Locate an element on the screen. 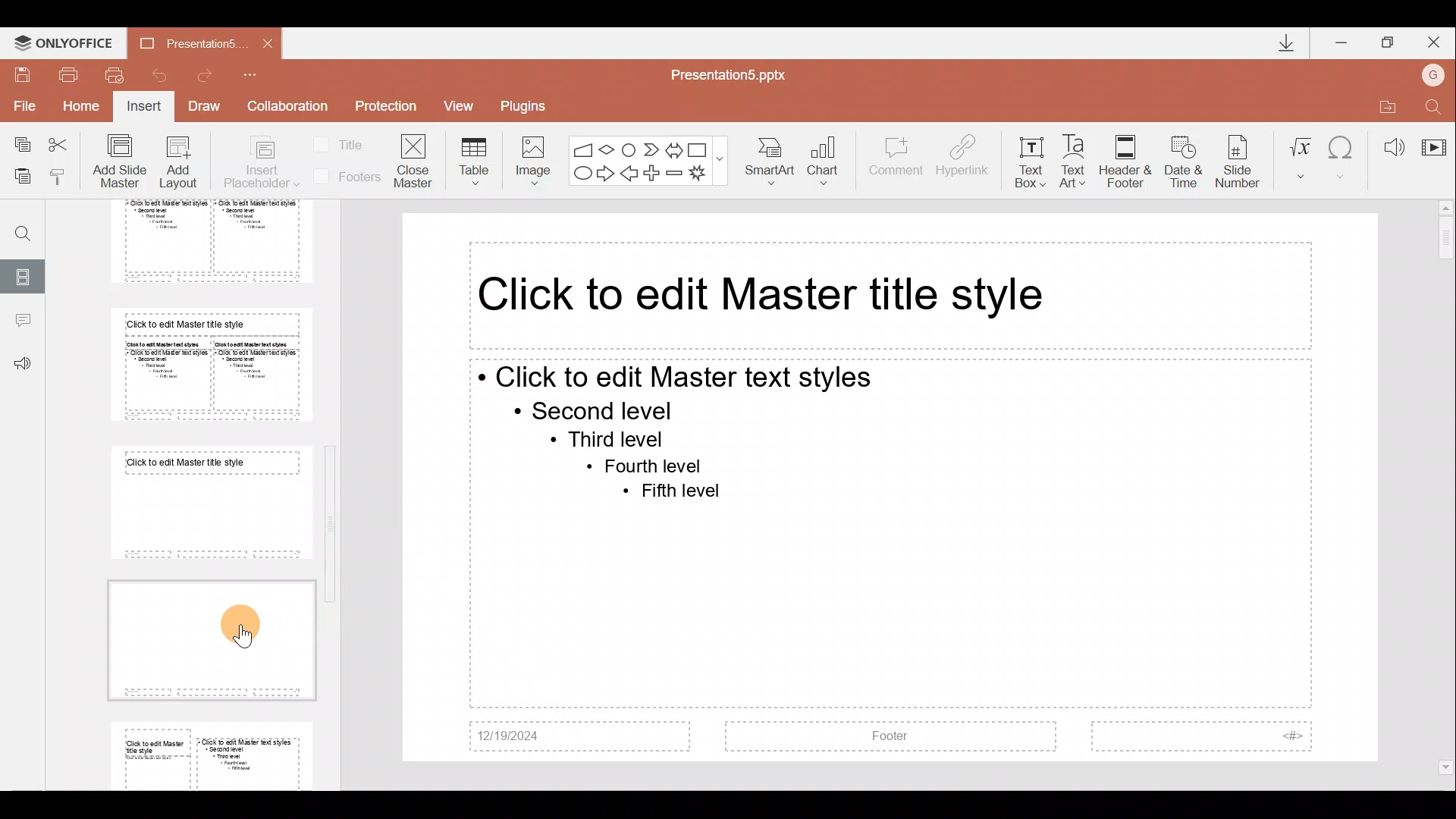 Image resolution: width=1456 pixels, height=819 pixels. Ellipse is located at coordinates (581, 174).